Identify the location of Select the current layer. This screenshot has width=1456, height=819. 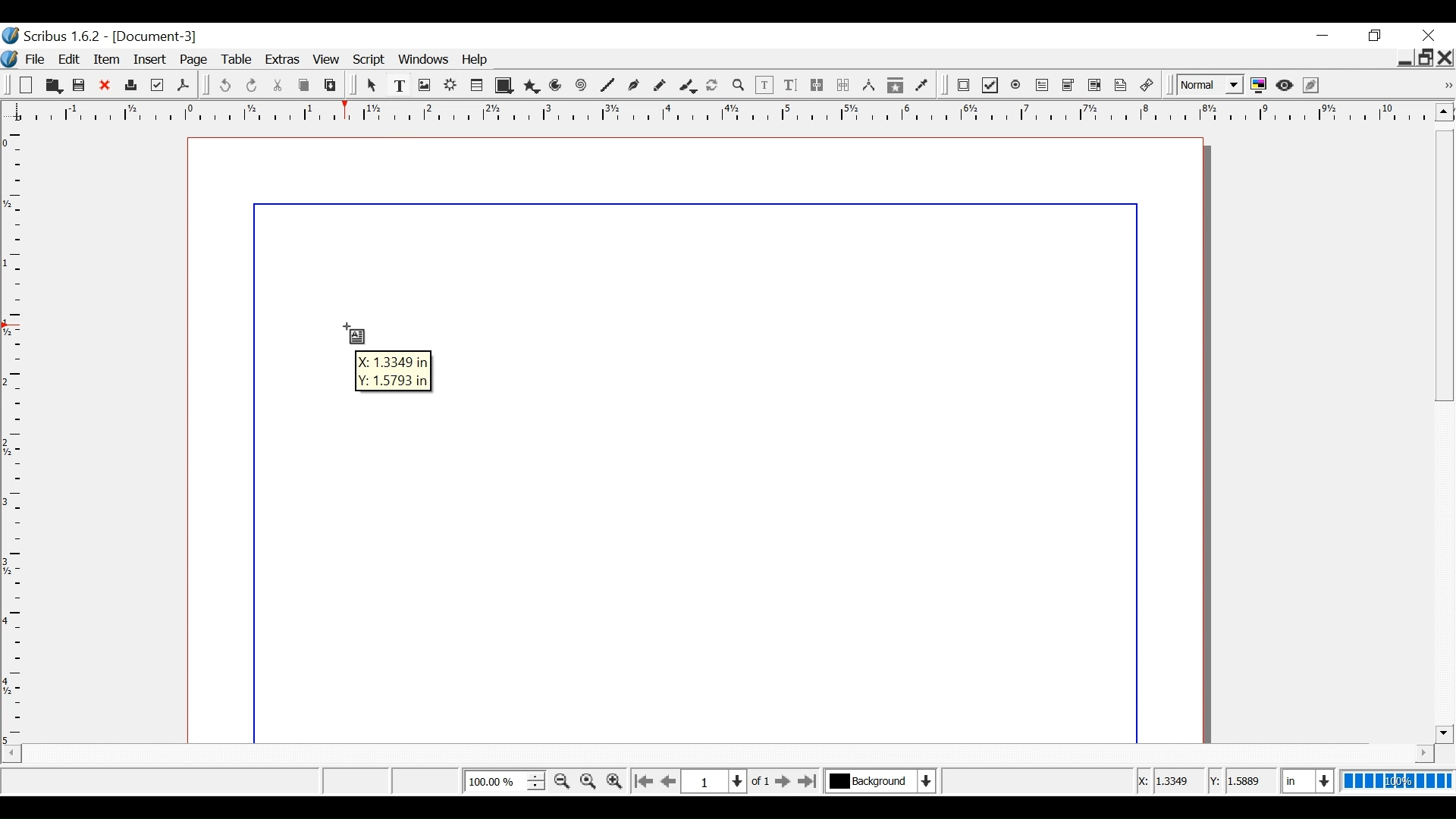
(877, 780).